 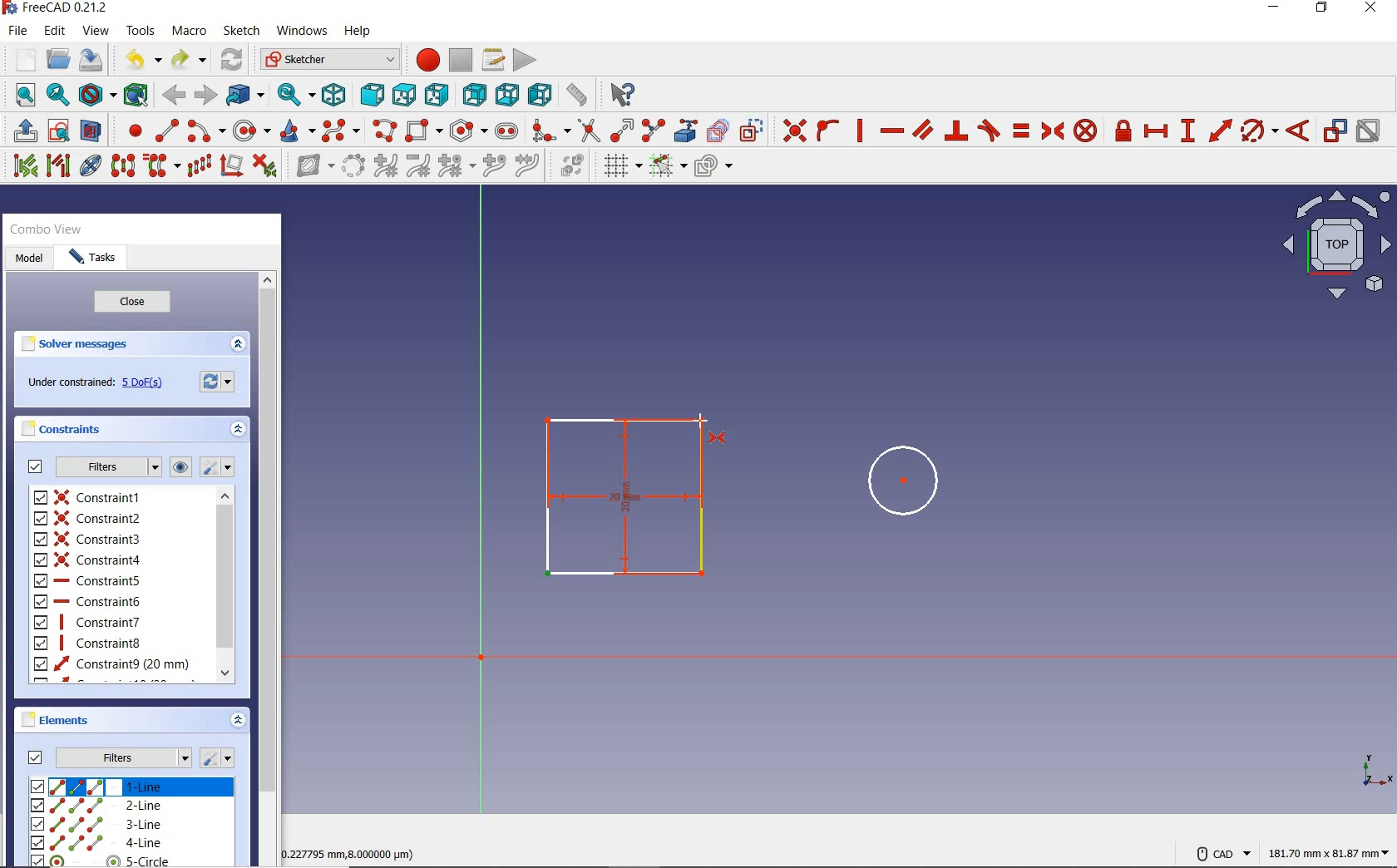 I want to click on decrease B-spline degree, so click(x=417, y=165).